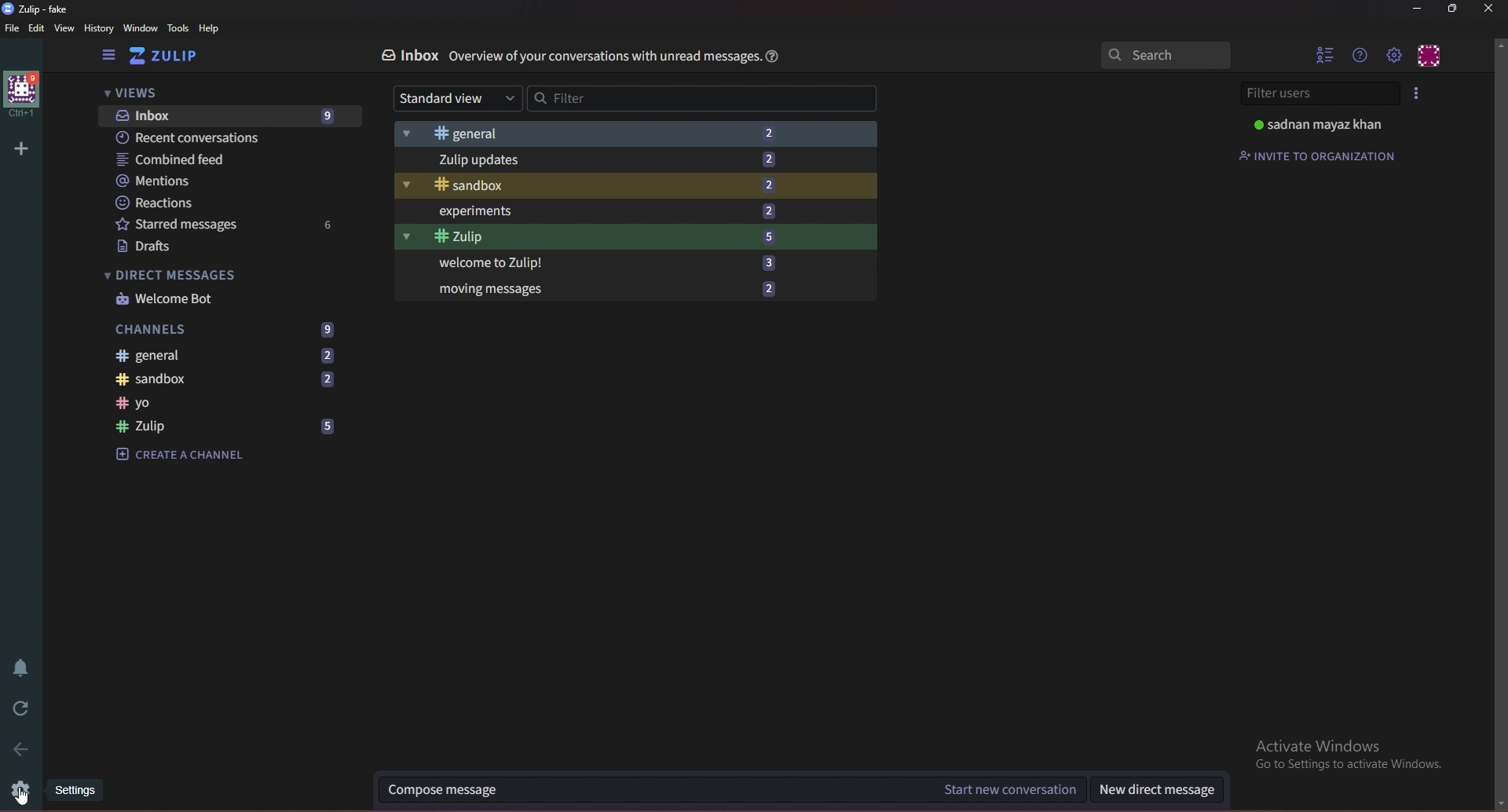 The height and width of the screenshot is (812, 1508). What do you see at coordinates (1005, 791) in the screenshot?
I see `Start new conversation` at bounding box center [1005, 791].